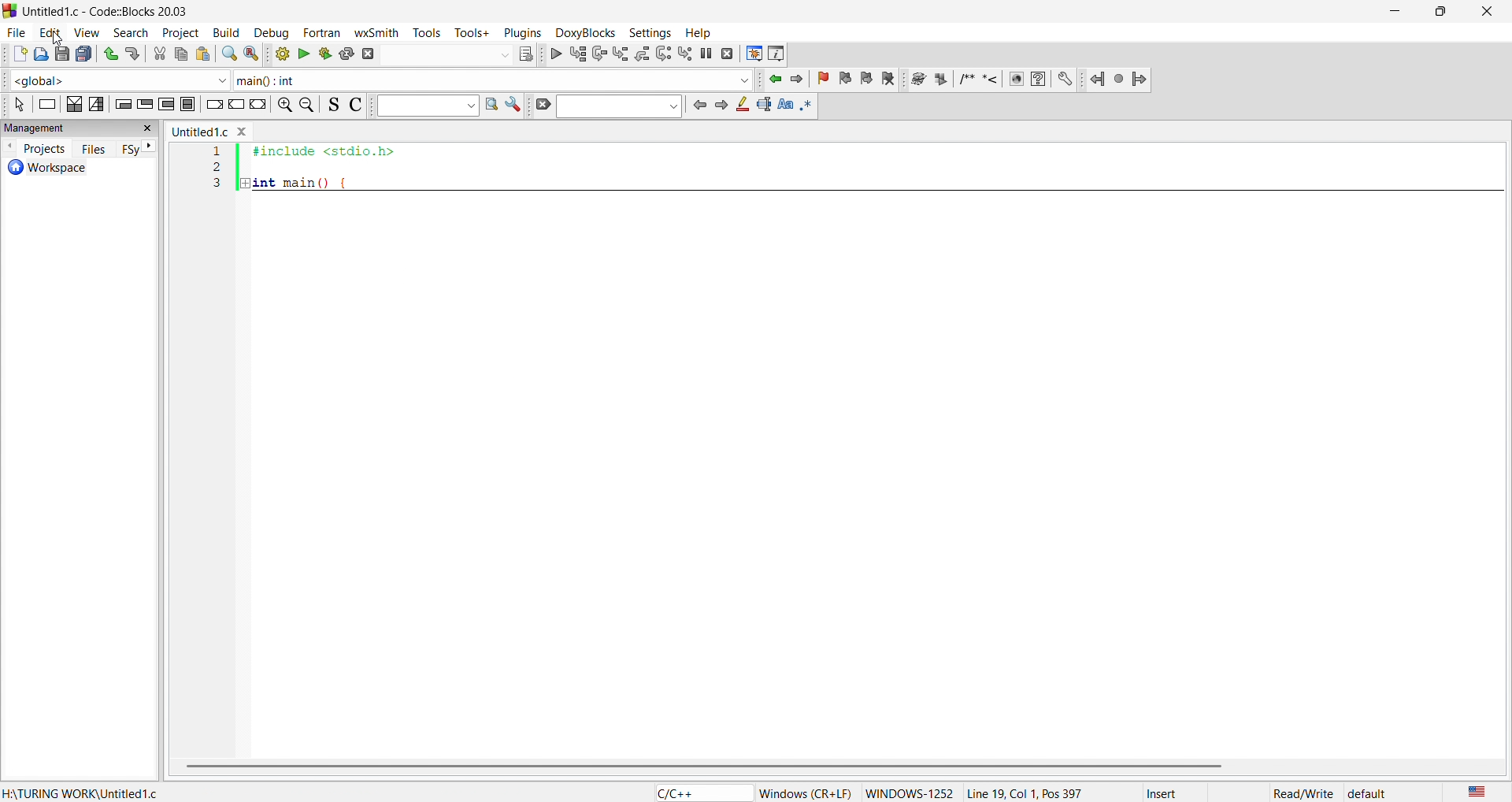  Describe the element at coordinates (1038, 79) in the screenshot. I see `help` at that location.